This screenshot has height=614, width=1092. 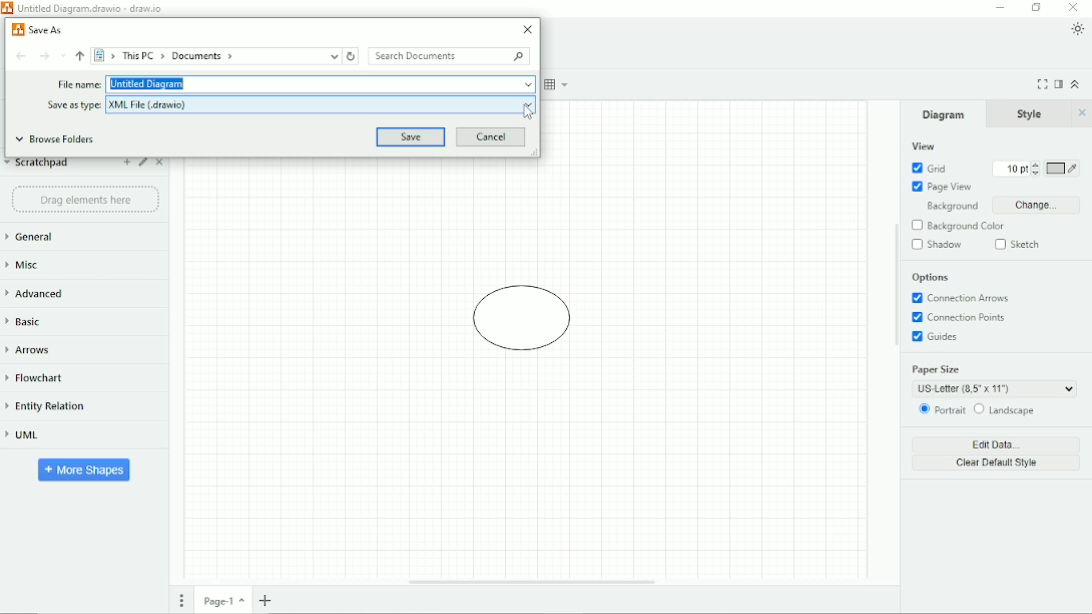 What do you see at coordinates (287, 106) in the screenshot?
I see `Save as type: XML File (.drawio)` at bounding box center [287, 106].